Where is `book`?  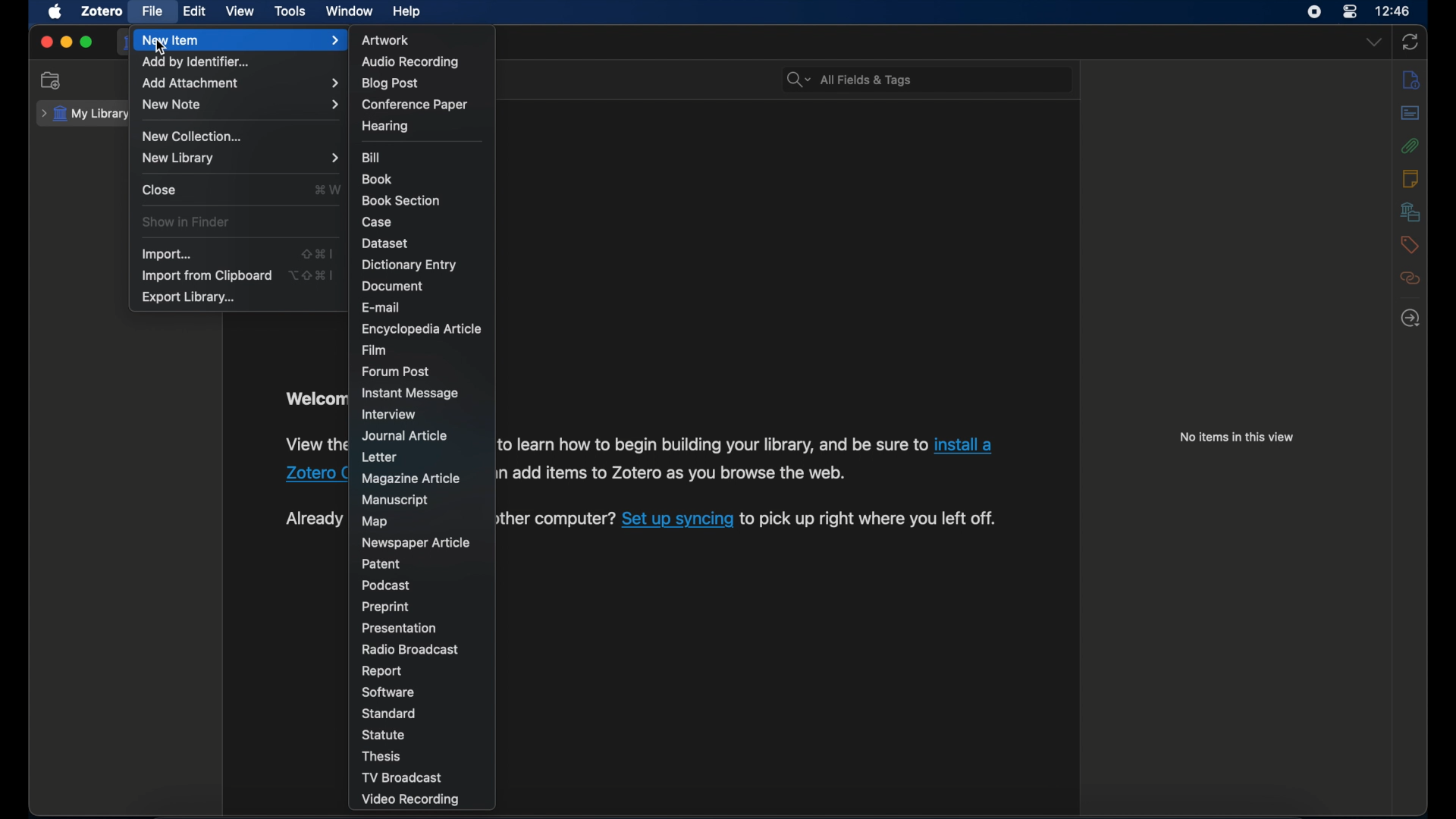 book is located at coordinates (378, 179).